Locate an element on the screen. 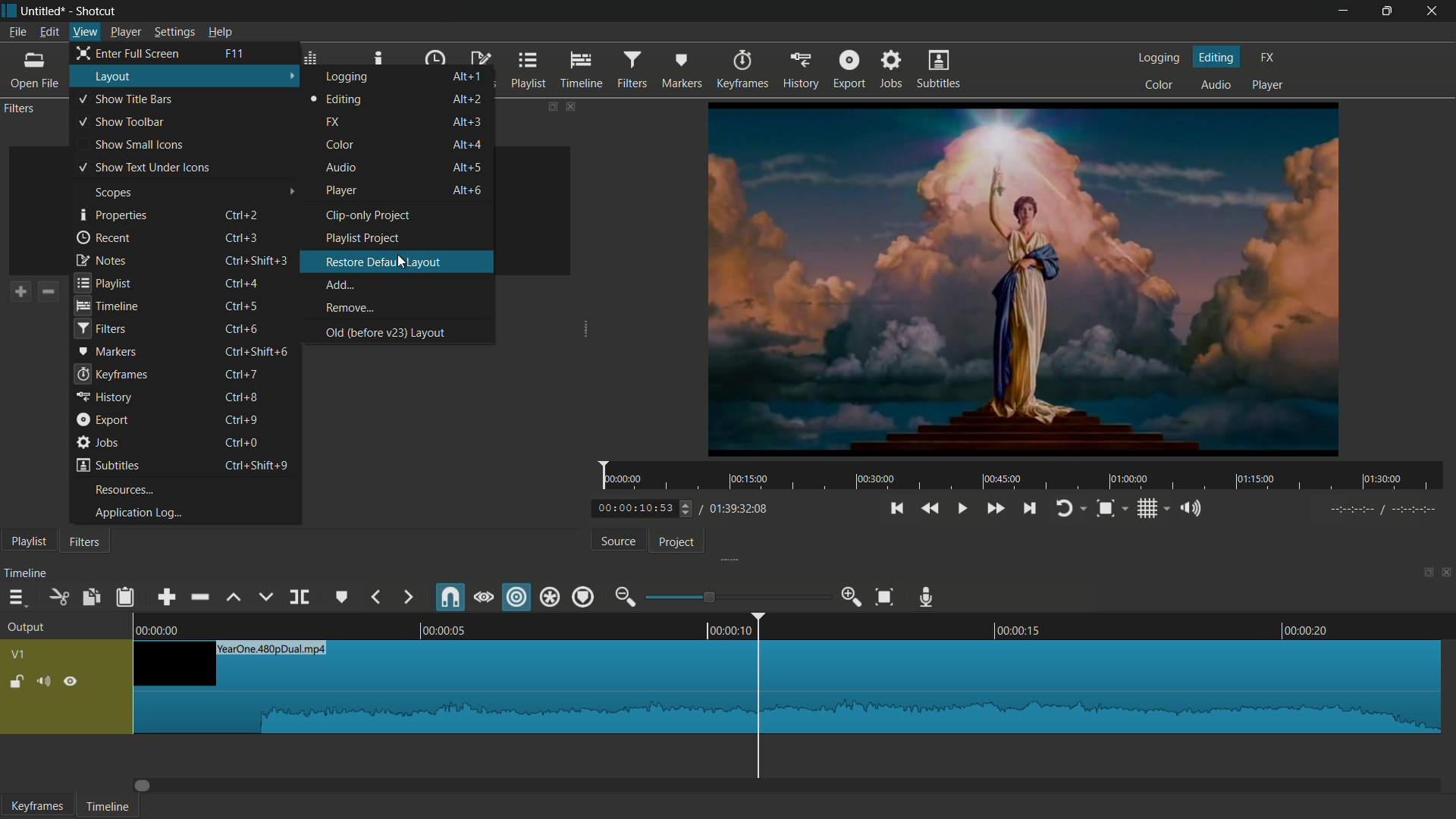 The image size is (1456, 819). keyboard shortcut is located at coordinates (241, 396).